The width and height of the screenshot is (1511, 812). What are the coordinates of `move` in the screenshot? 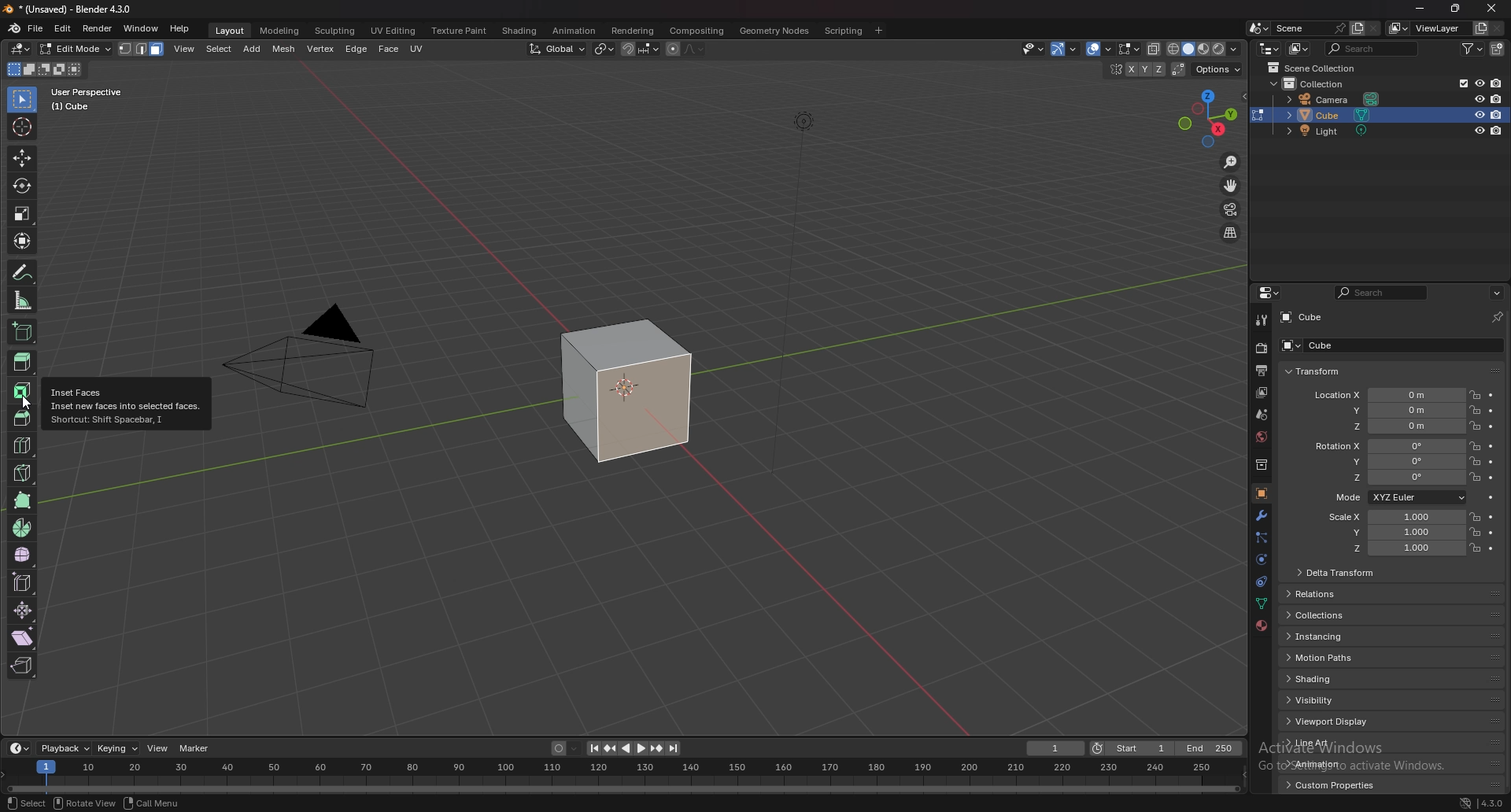 It's located at (21, 157).